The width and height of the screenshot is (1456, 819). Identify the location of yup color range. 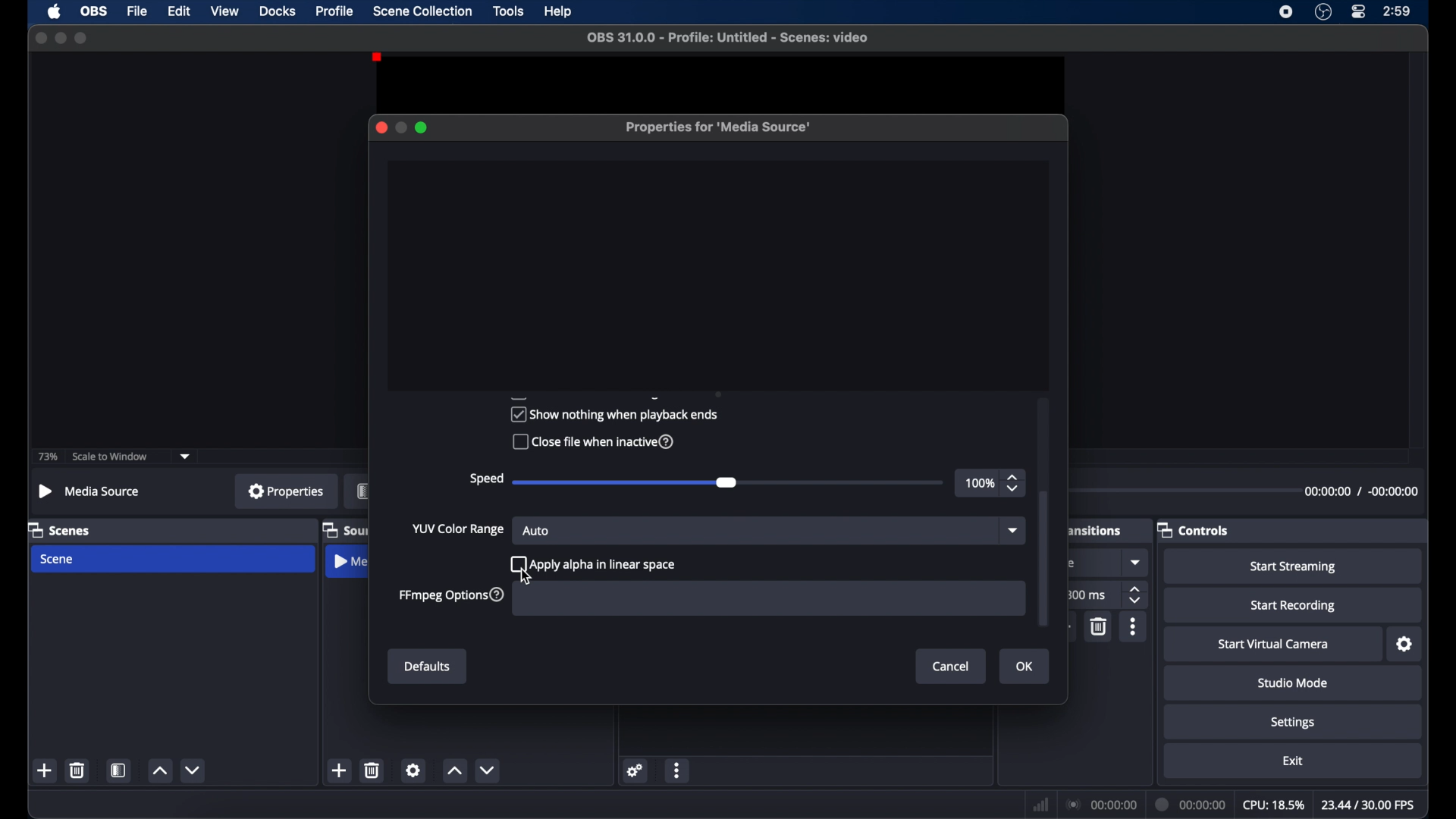
(458, 529).